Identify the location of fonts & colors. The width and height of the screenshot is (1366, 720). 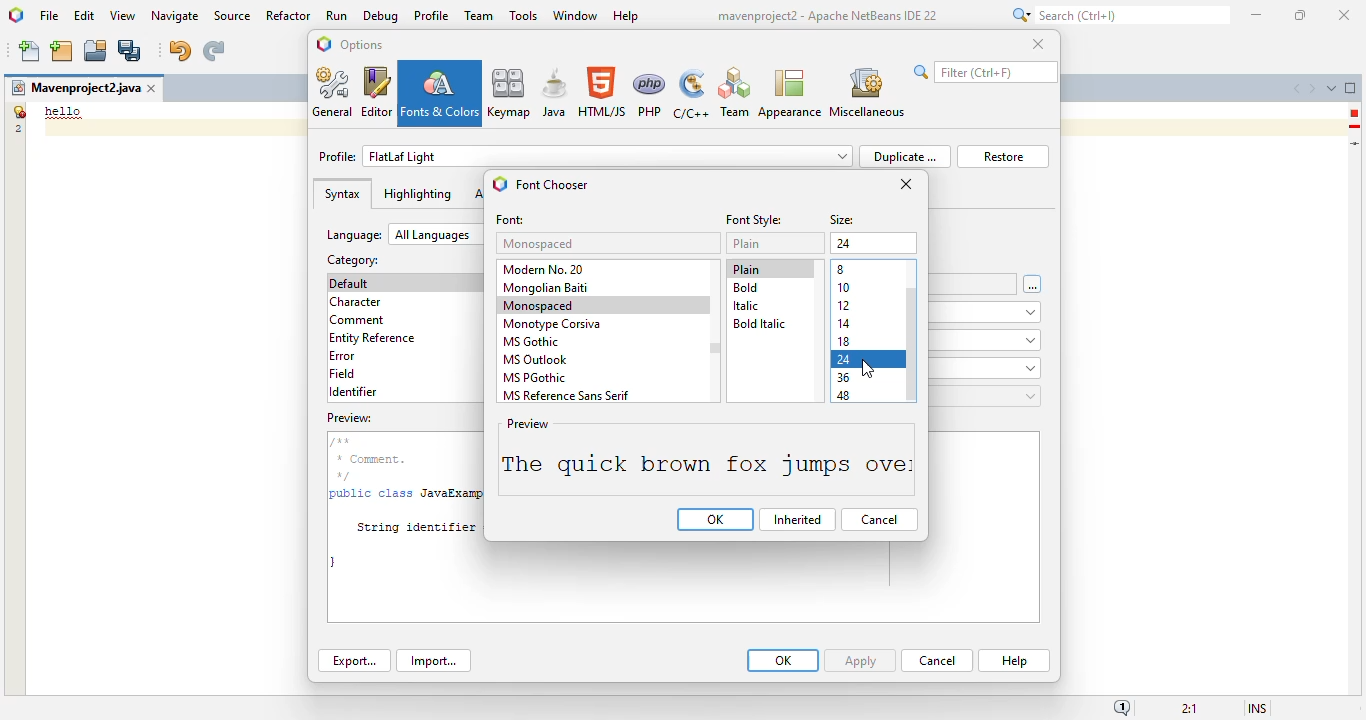
(440, 93).